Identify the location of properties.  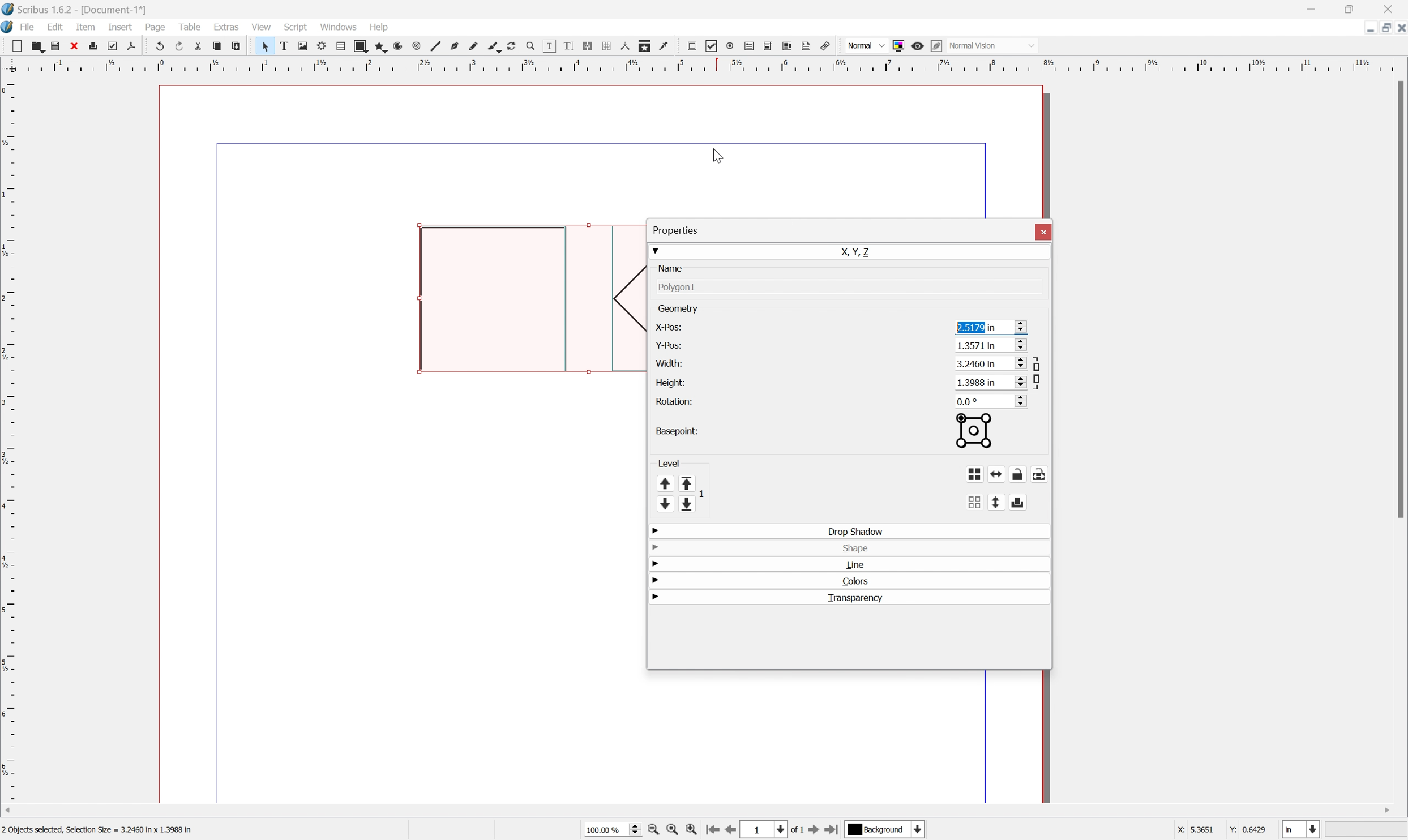
(675, 229).